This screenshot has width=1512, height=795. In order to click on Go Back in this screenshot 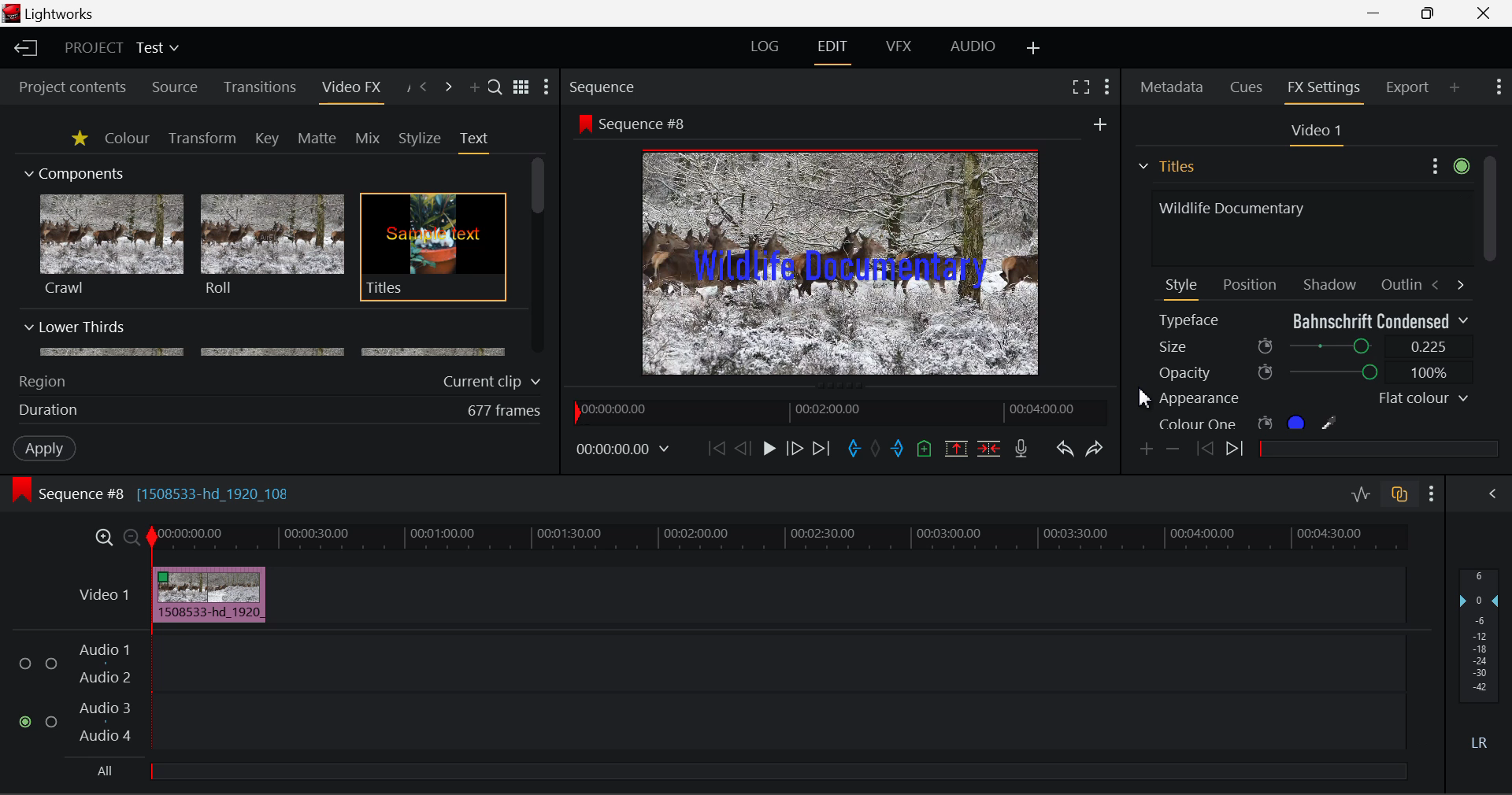, I will do `click(743, 448)`.